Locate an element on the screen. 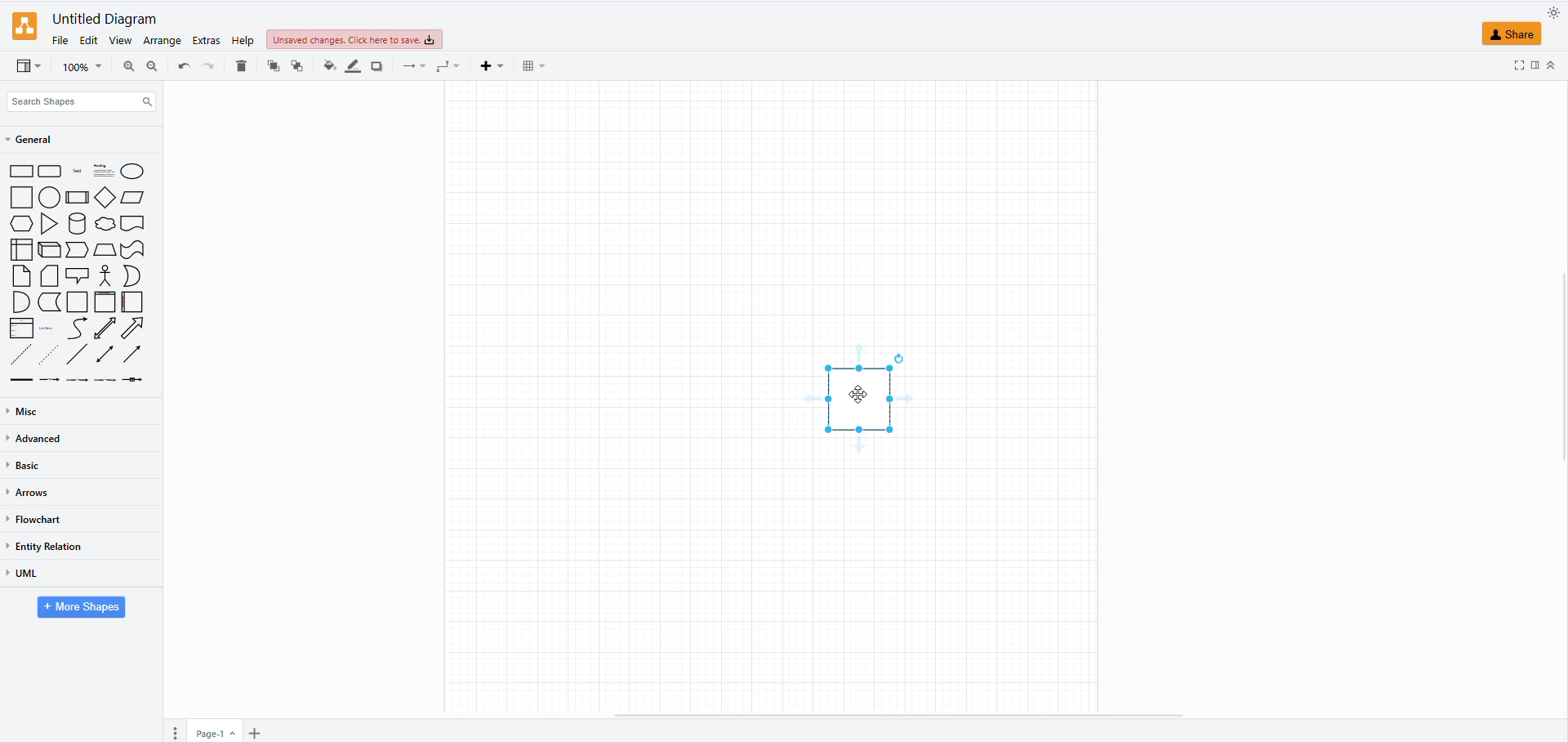  step is located at coordinates (76, 251).